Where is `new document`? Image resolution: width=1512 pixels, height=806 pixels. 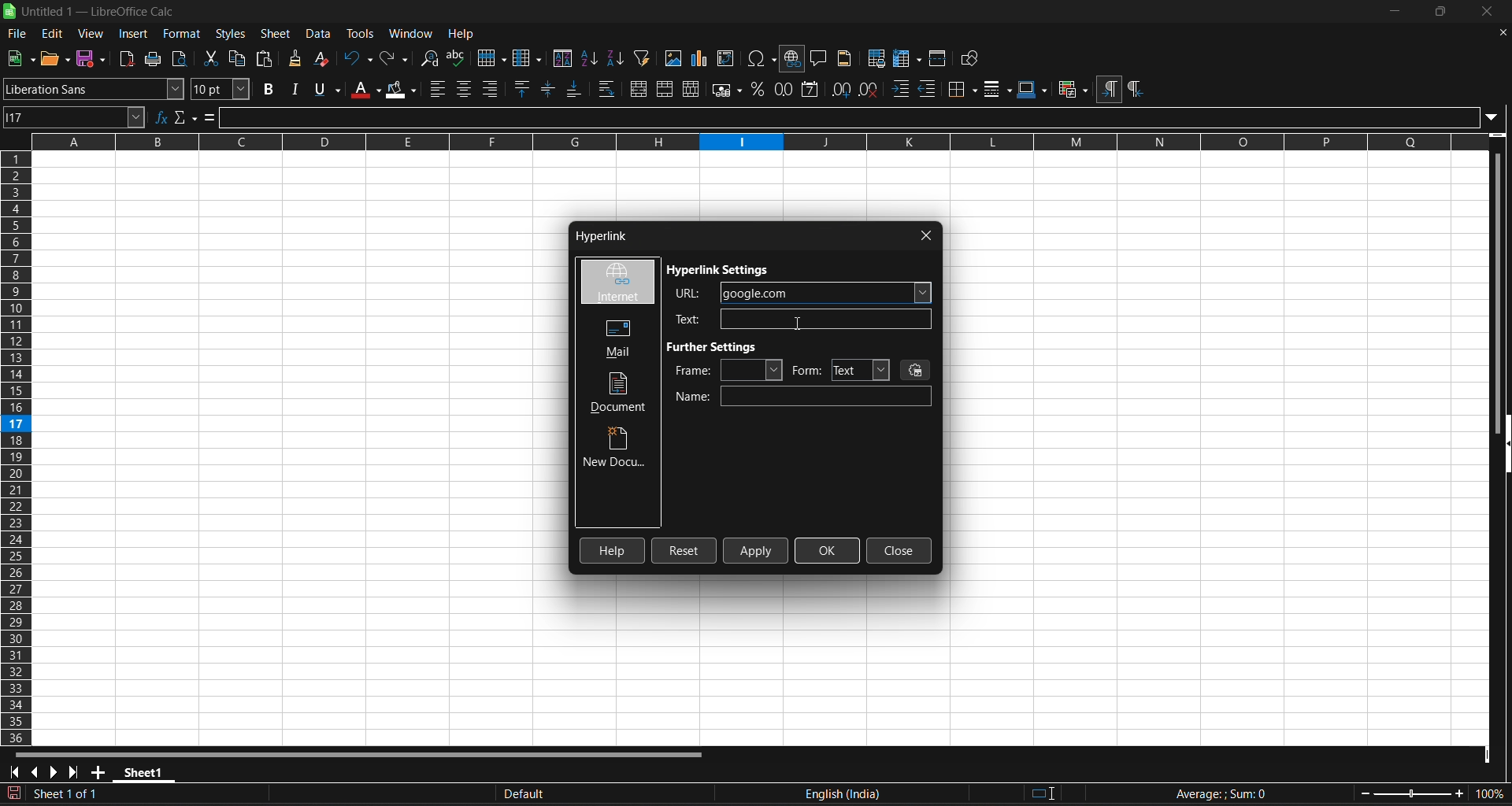
new document is located at coordinates (617, 449).